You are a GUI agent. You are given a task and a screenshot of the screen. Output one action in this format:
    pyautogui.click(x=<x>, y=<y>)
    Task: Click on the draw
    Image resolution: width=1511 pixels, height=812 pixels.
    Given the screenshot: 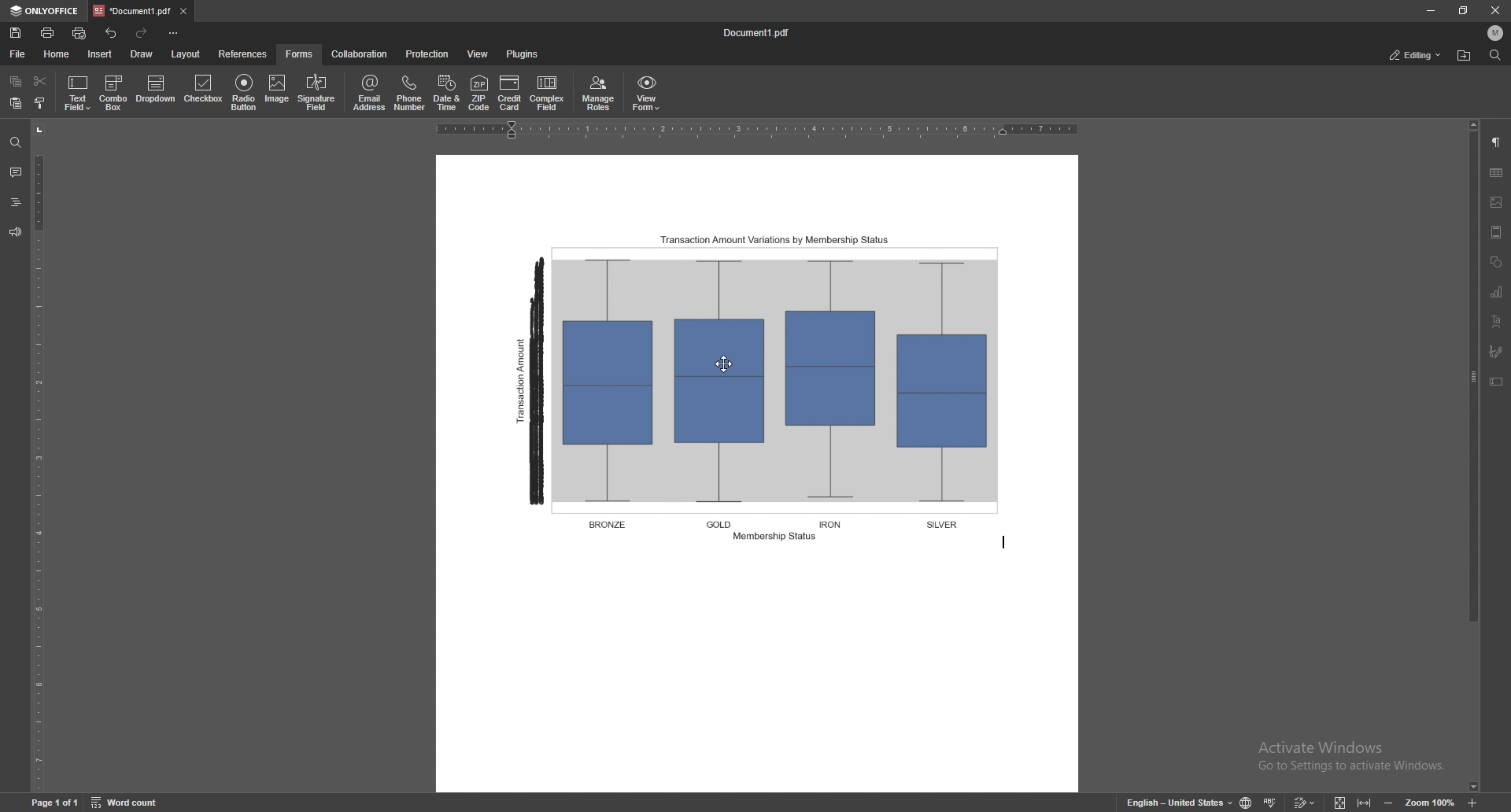 What is the action you would take?
    pyautogui.click(x=142, y=54)
    